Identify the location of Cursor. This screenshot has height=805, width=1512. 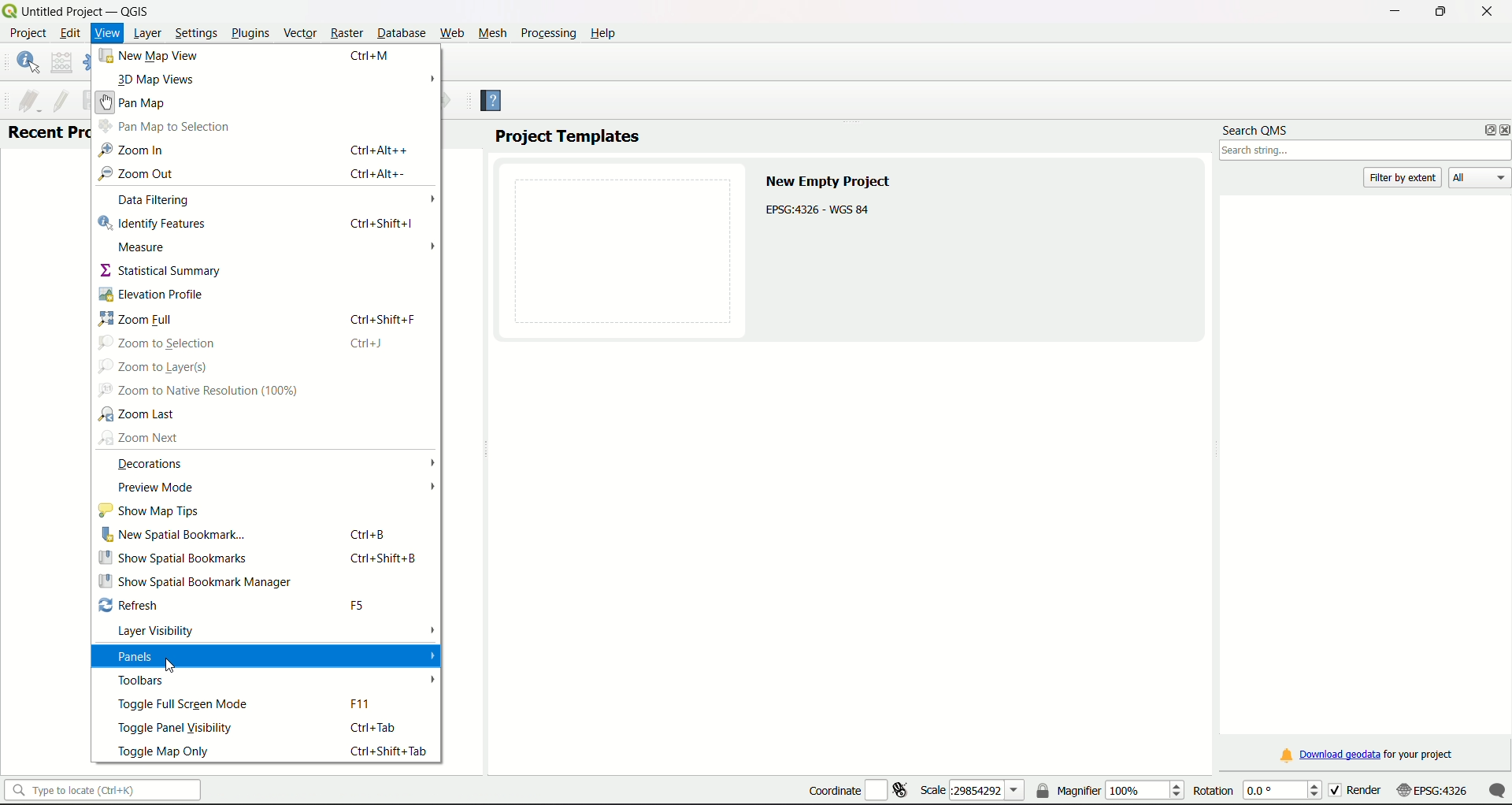
(172, 666).